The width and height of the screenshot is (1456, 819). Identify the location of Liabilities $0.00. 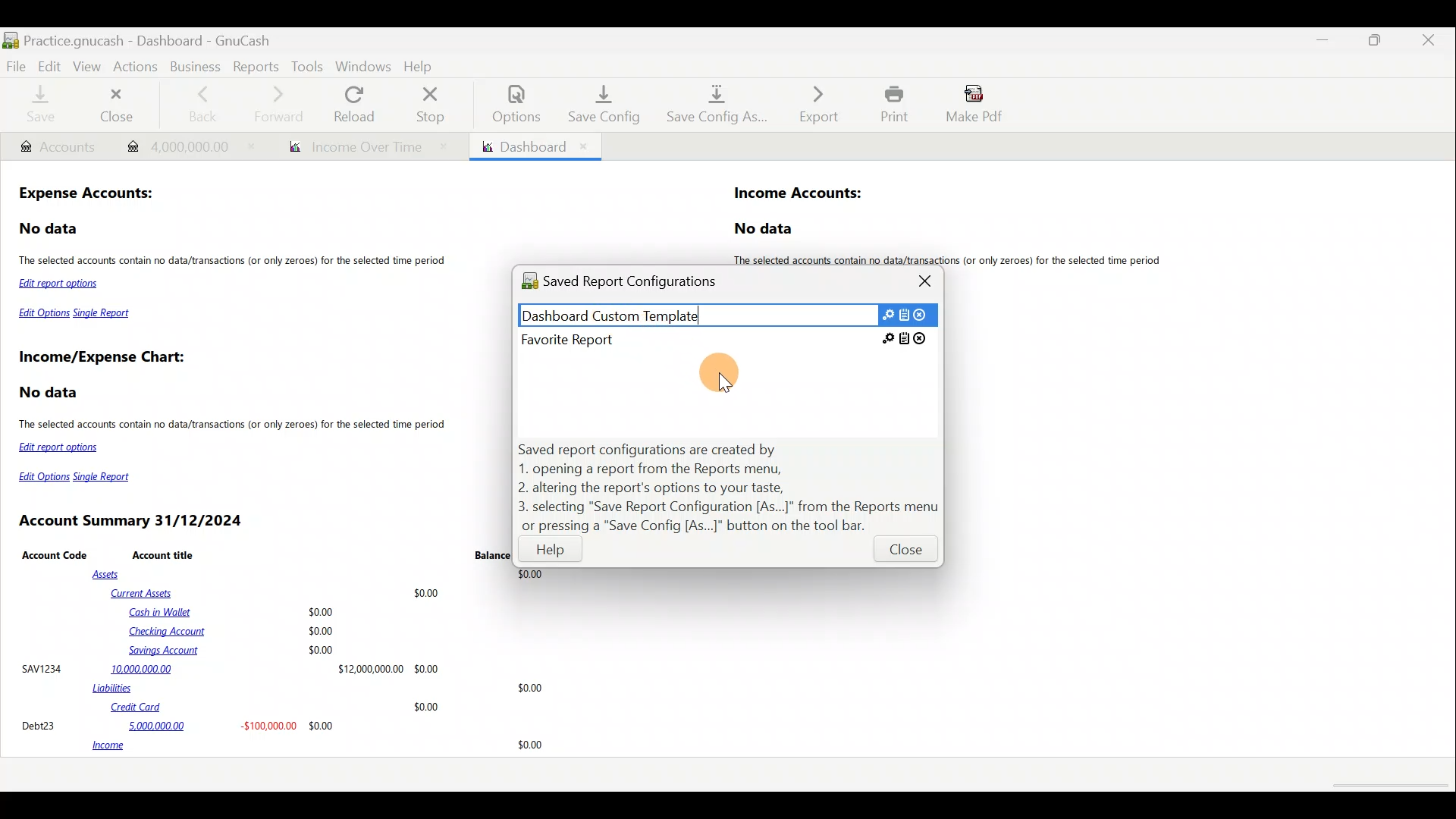
(321, 688).